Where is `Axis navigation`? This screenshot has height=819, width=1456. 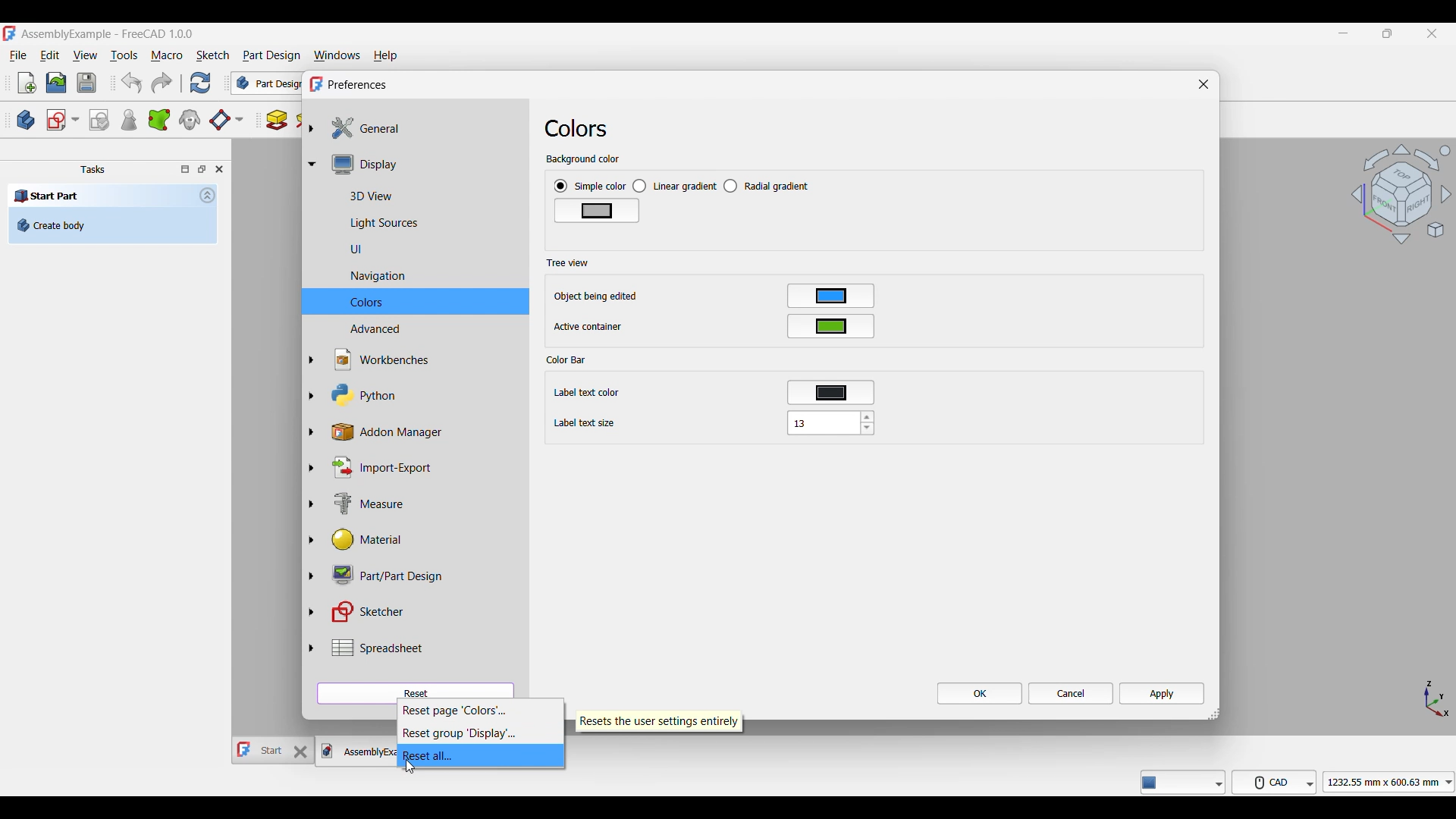
Axis navigation is located at coordinates (1438, 699).